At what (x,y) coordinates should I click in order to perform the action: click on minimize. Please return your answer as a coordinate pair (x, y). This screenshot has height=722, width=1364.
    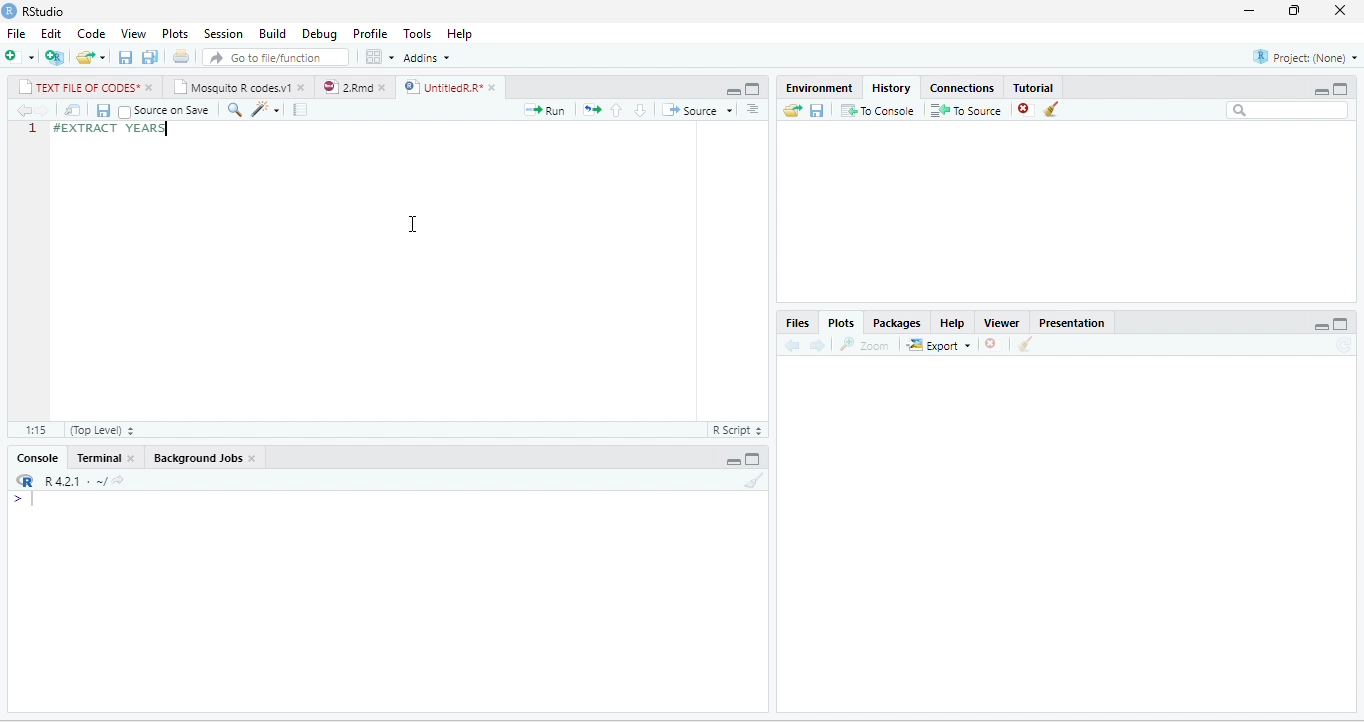
    Looking at the image, I should click on (733, 91).